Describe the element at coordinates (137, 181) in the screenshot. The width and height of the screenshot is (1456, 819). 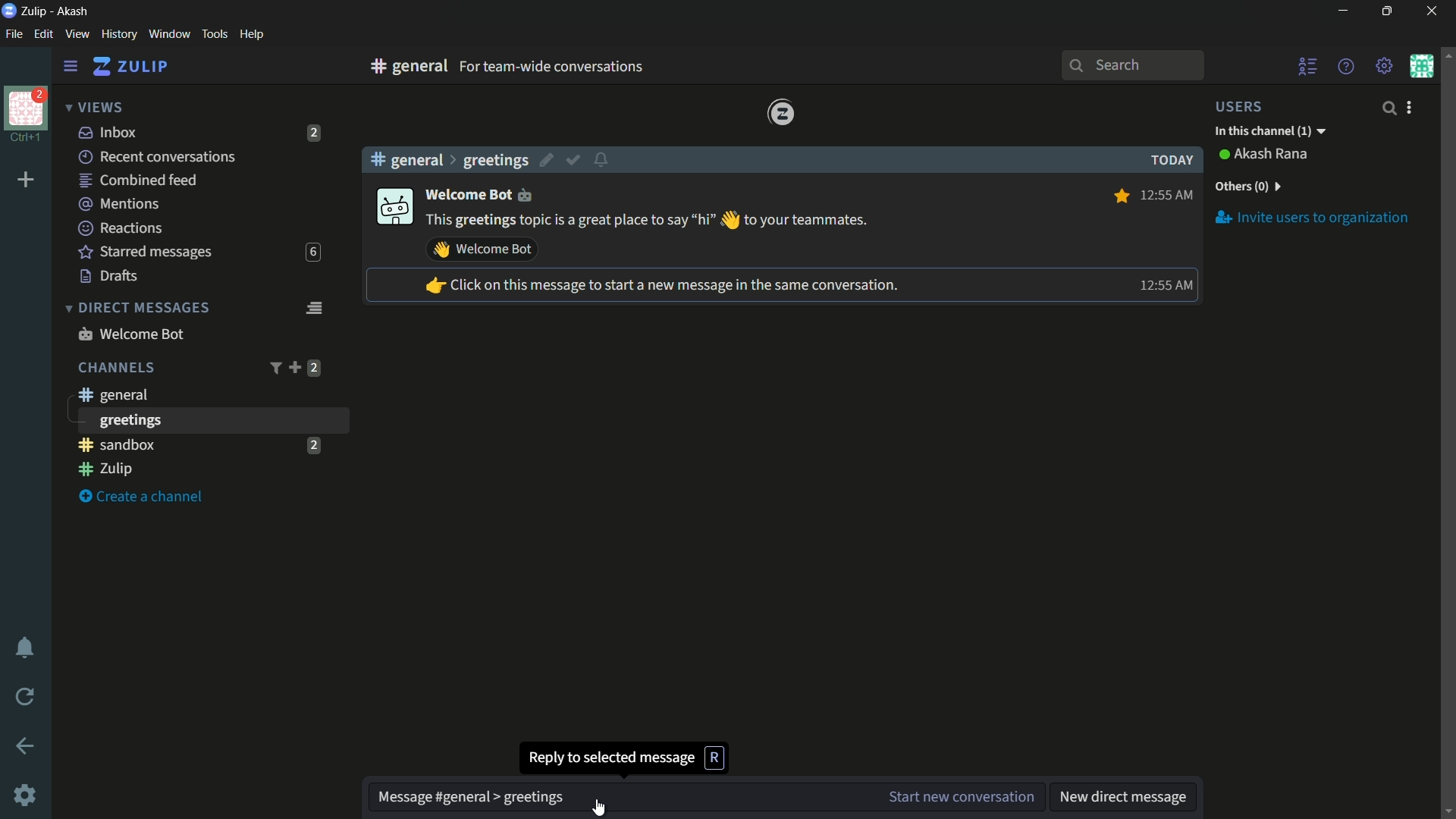
I see `combined feed` at that location.